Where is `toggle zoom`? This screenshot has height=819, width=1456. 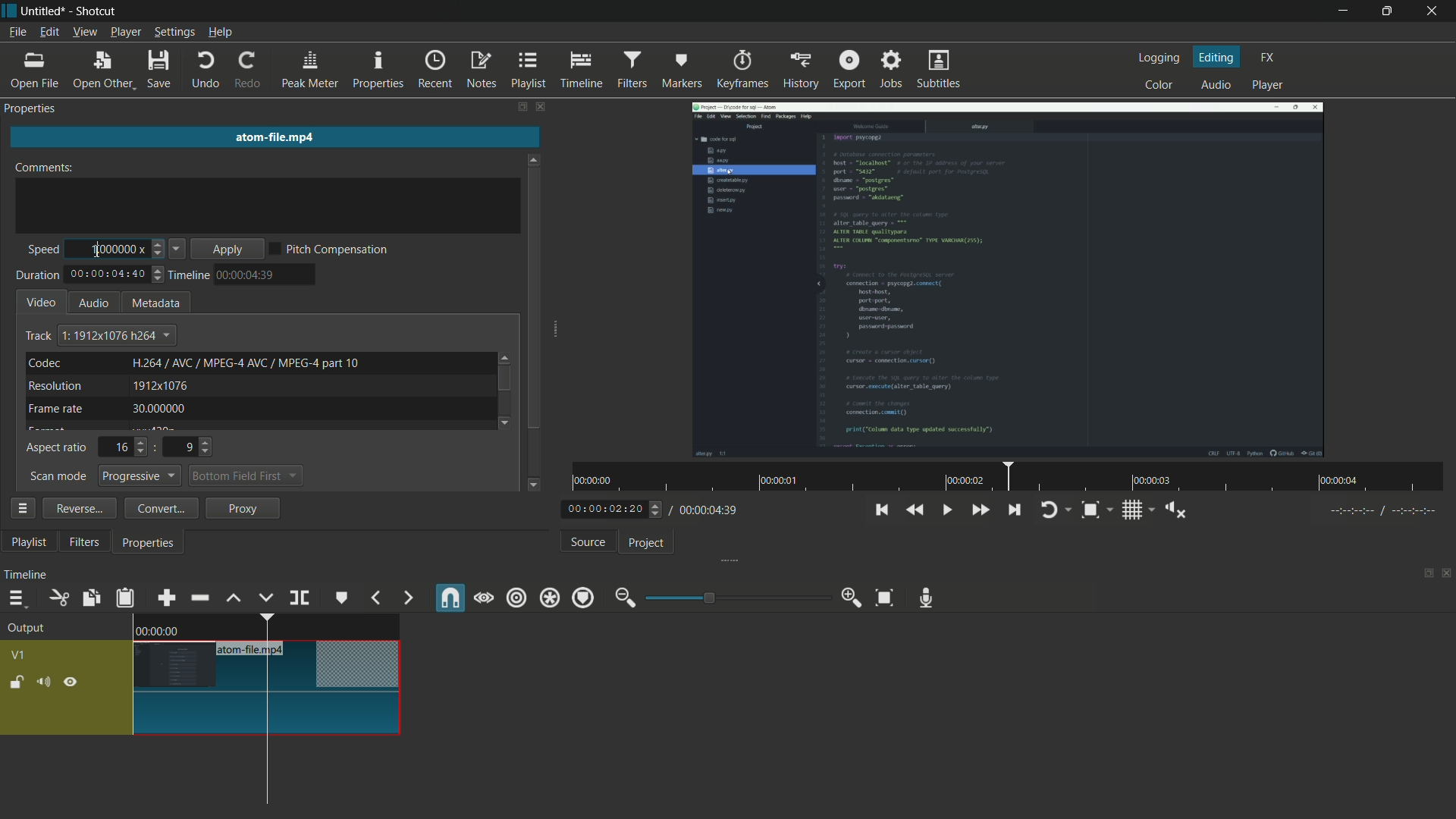 toggle zoom is located at coordinates (1093, 510).